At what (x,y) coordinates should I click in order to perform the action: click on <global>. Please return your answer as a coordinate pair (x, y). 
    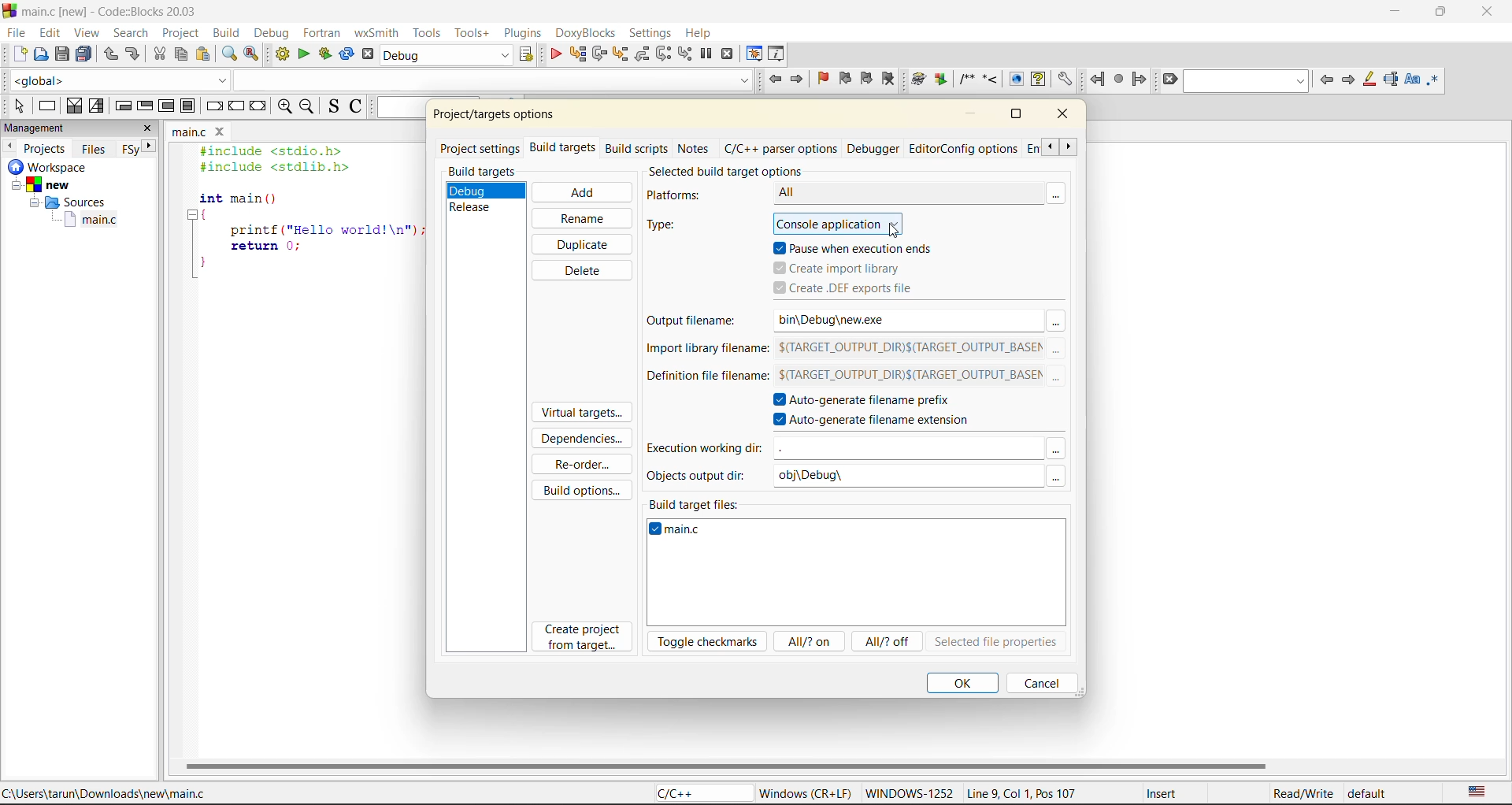
    Looking at the image, I should click on (118, 80).